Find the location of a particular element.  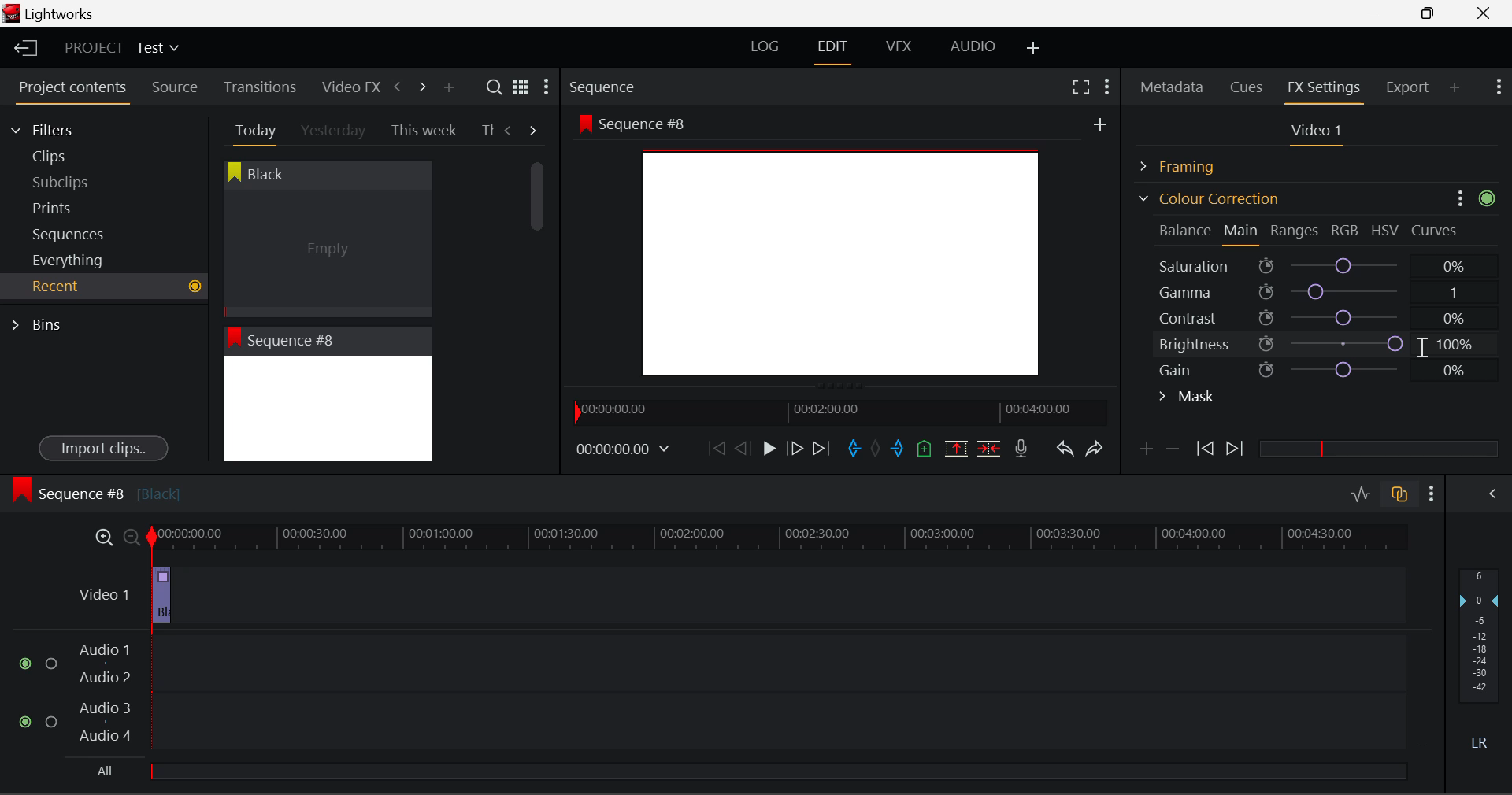

Minimize is located at coordinates (1432, 13).